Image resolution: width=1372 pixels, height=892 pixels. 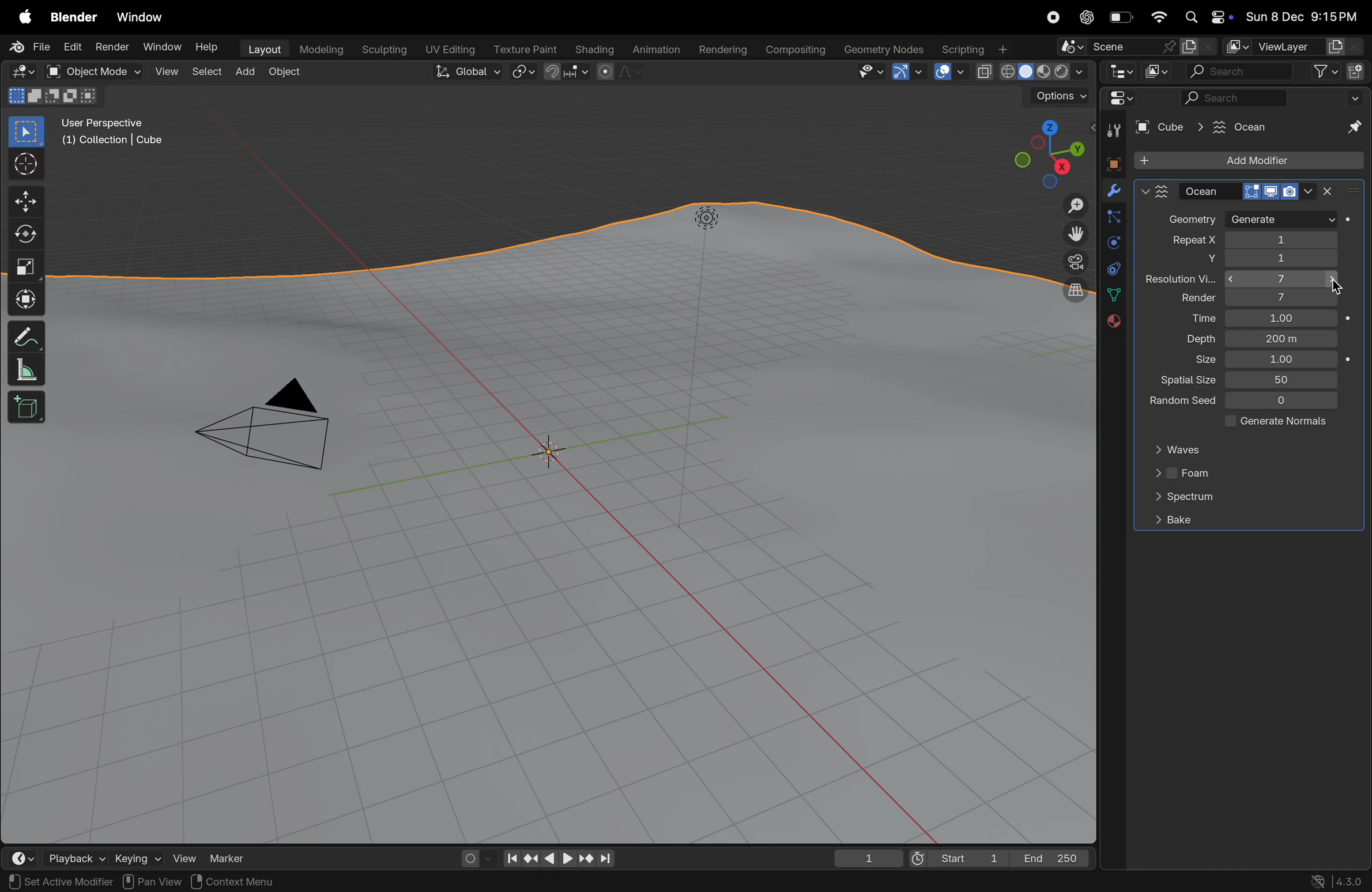 What do you see at coordinates (1069, 293) in the screenshot?
I see `switch current view` at bounding box center [1069, 293].